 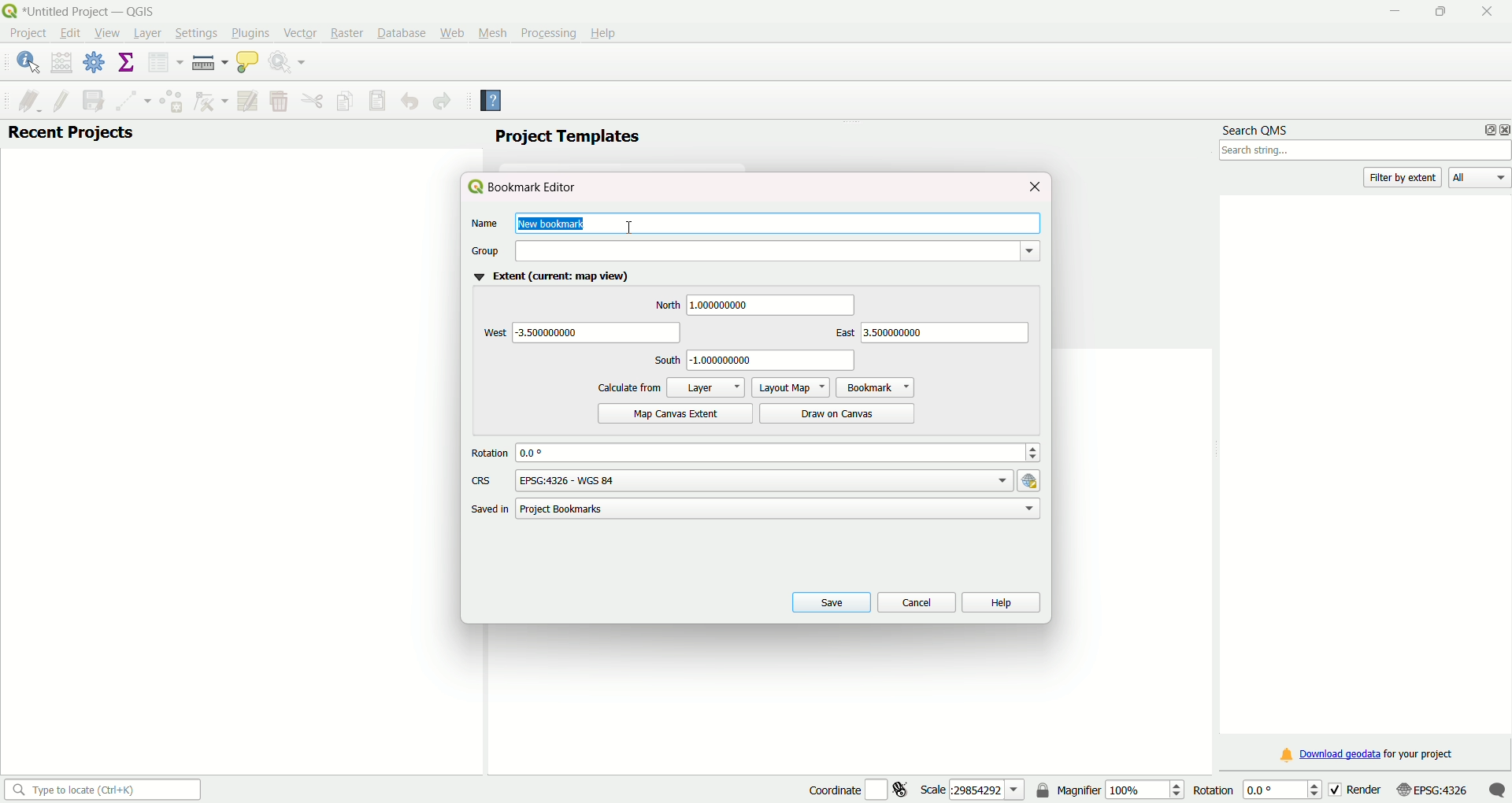 What do you see at coordinates (482, 481) in the screenshot?
I see `CRS` at bounding box center [482, 481].